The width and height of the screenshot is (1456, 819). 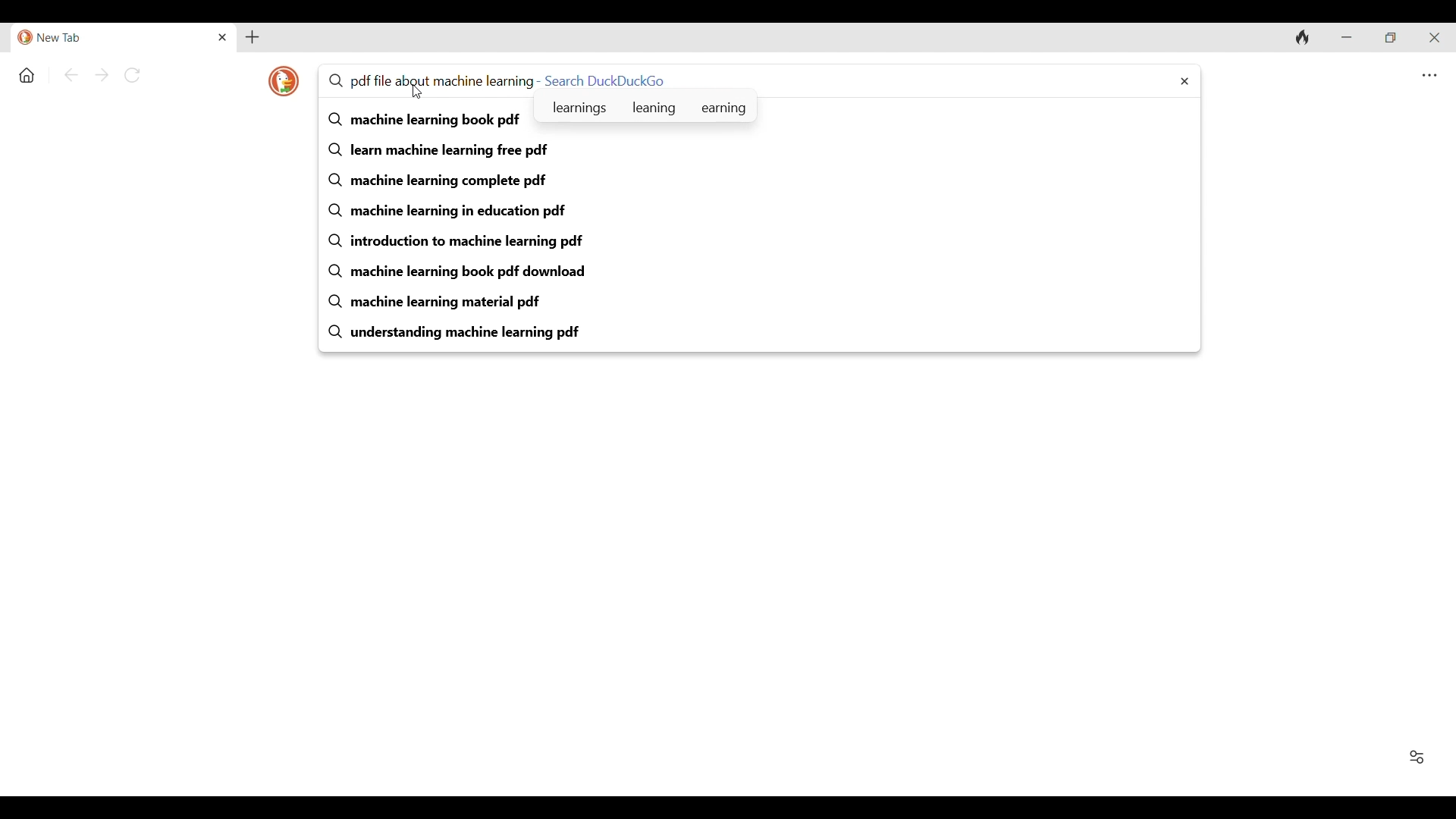 What do you see at coordinates (605, 80) in the screenshot?
I see `Search DuckDuckGo` at bounding box center [605, 80].